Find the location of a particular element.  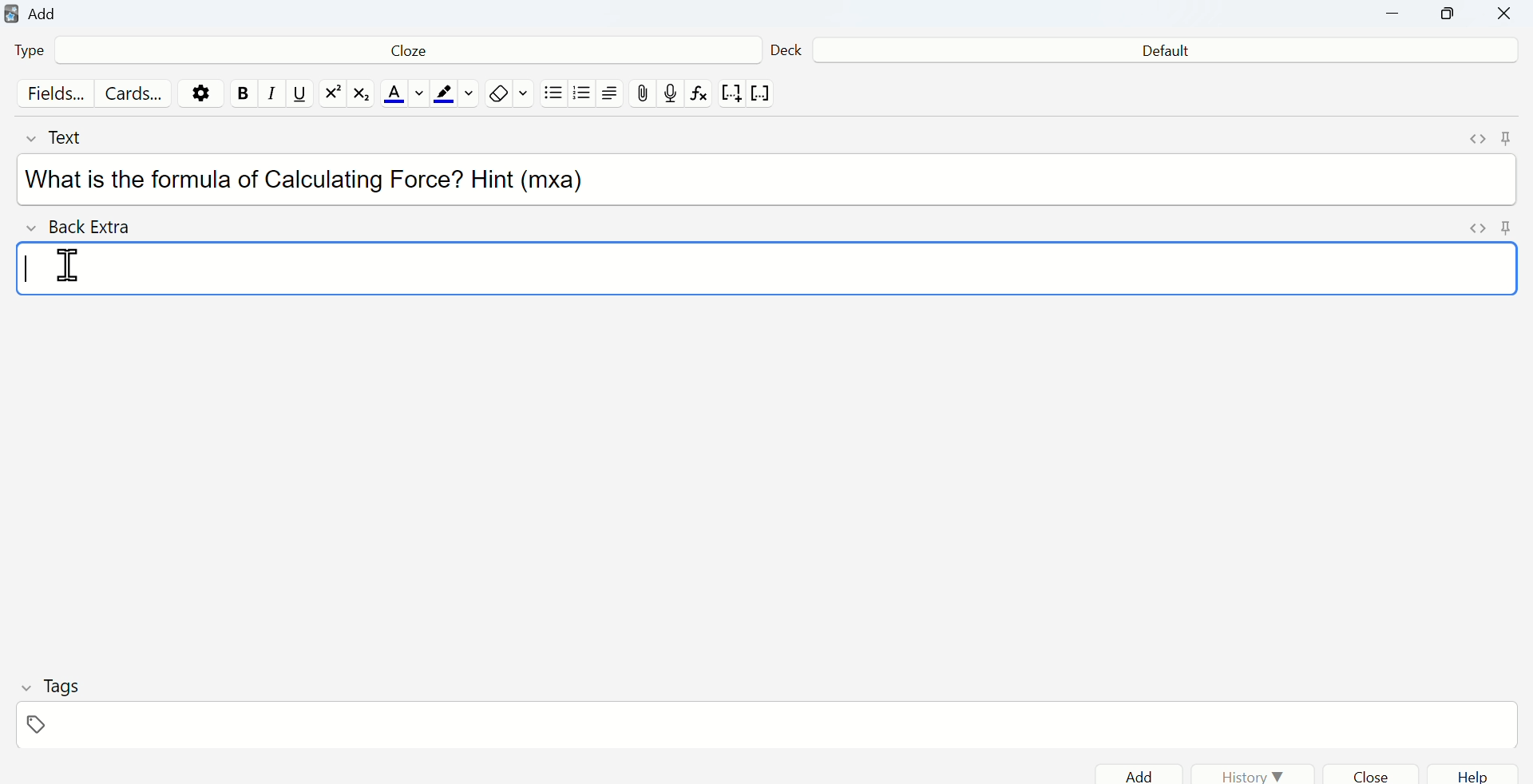

Text highlight color is located at coordinates (456, 95).